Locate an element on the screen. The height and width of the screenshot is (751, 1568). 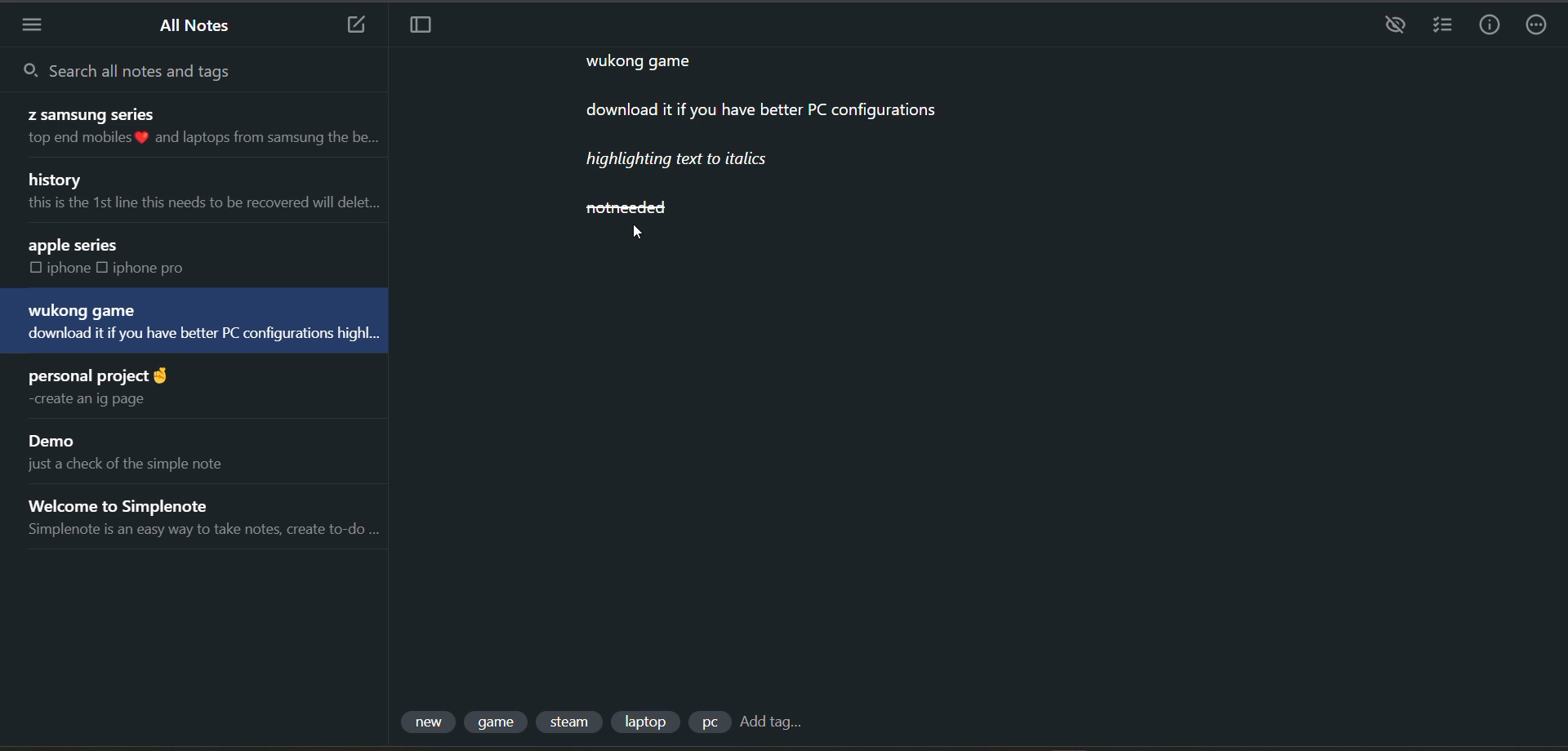
toggle focus mode is located at coordinates (424, 29).